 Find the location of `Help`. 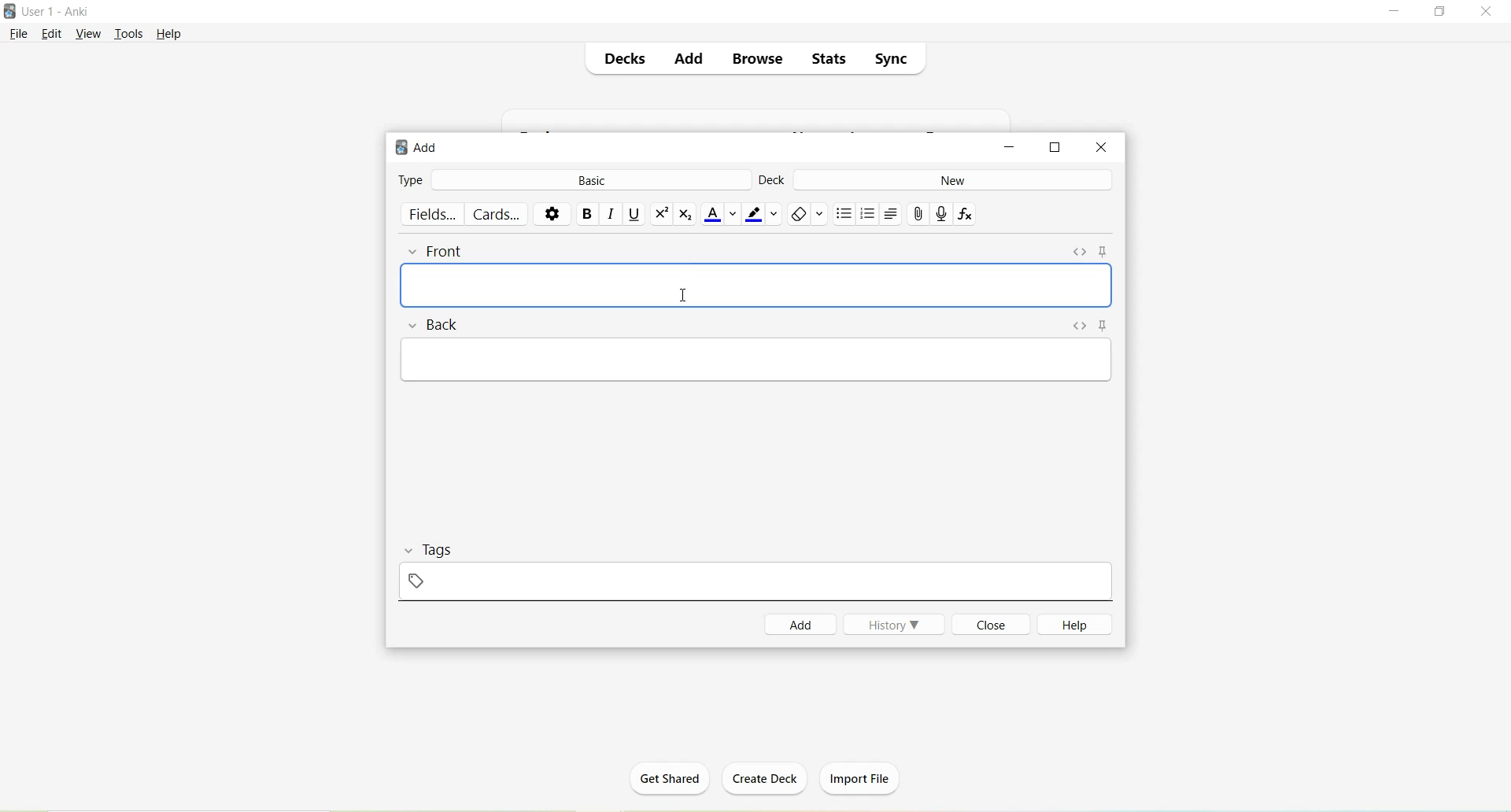

Help is located at coordinates (169, 35).